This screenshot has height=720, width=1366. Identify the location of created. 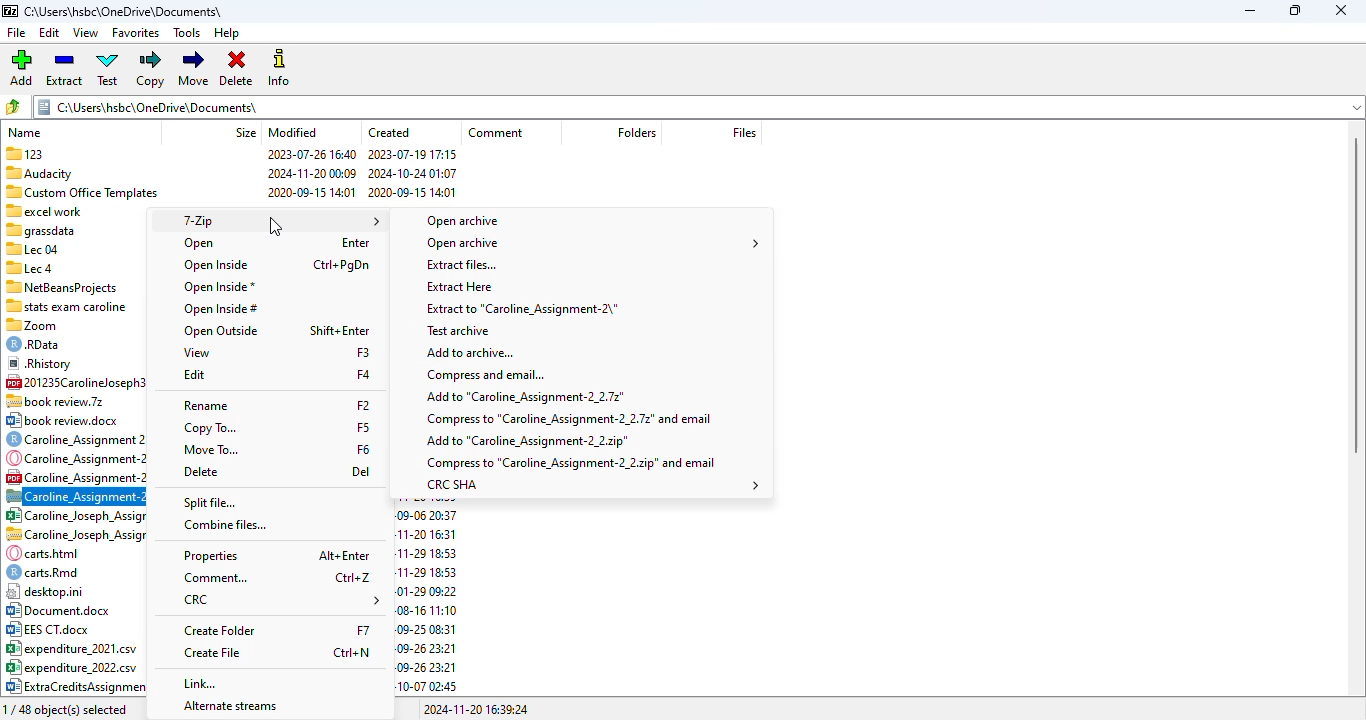
(390, 132).